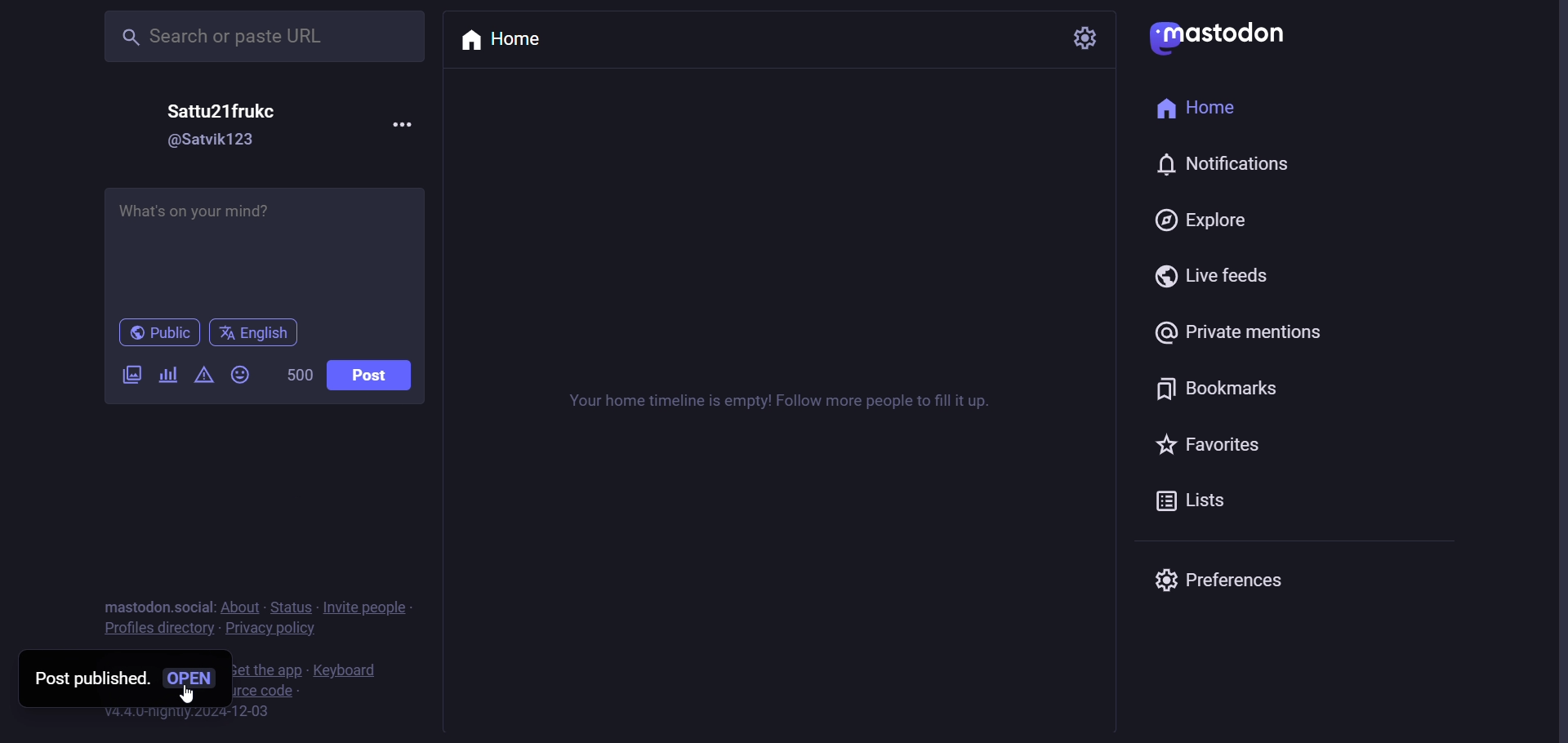  I want to click on setting, so click(1082, 38).